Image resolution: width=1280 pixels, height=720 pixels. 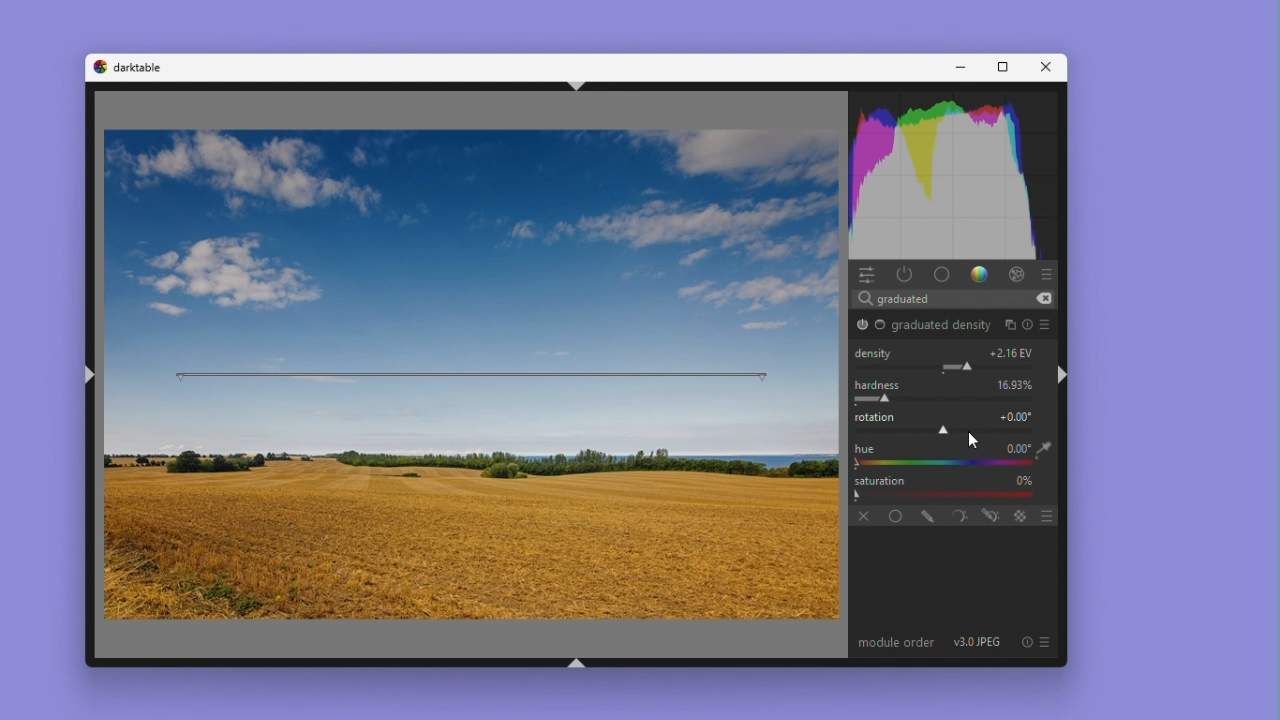 What do you see at coordinates (941, 274) in the screenshot?
I see `base` at bounding box center [941, 274].